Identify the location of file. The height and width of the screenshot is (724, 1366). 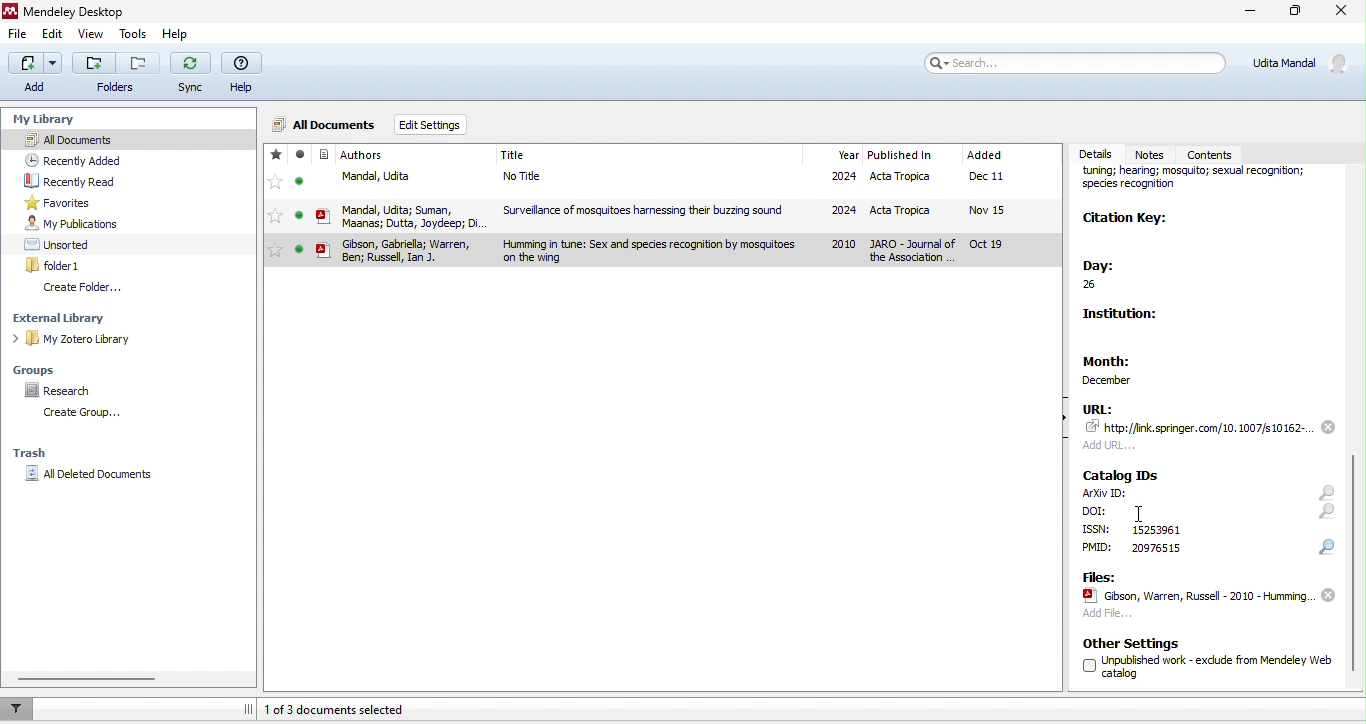
(18, 37).